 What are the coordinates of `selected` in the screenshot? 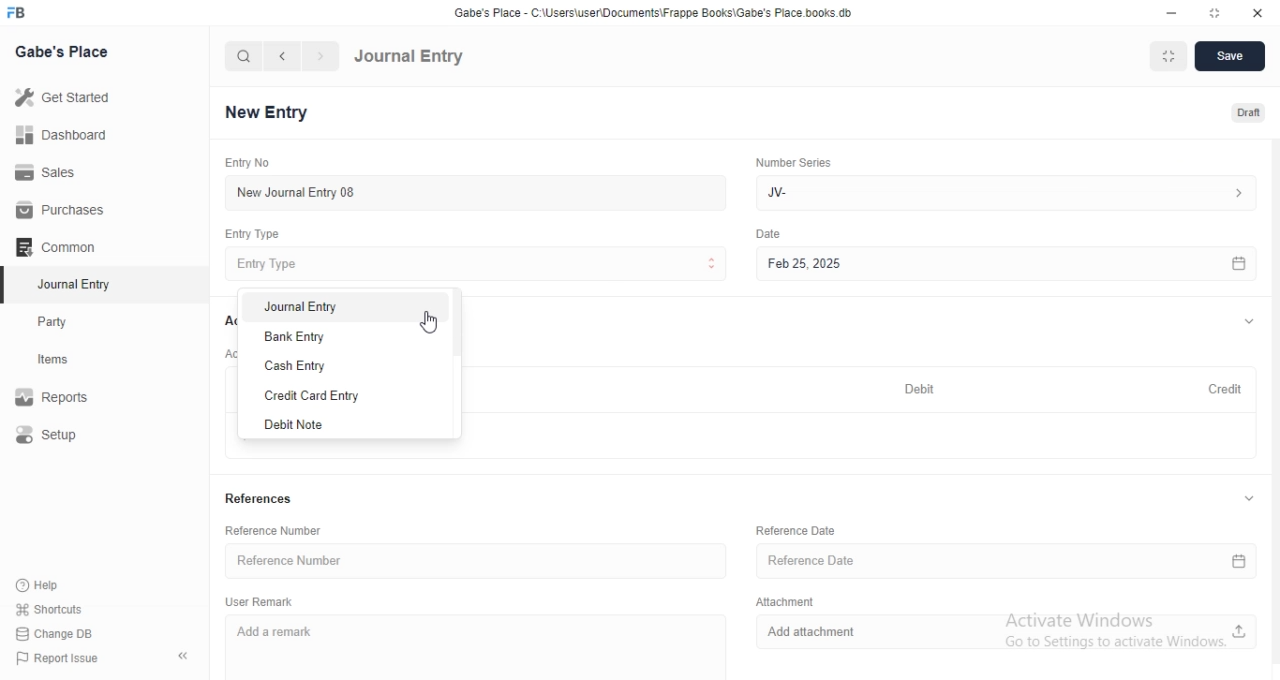 It's located at (8, 286).